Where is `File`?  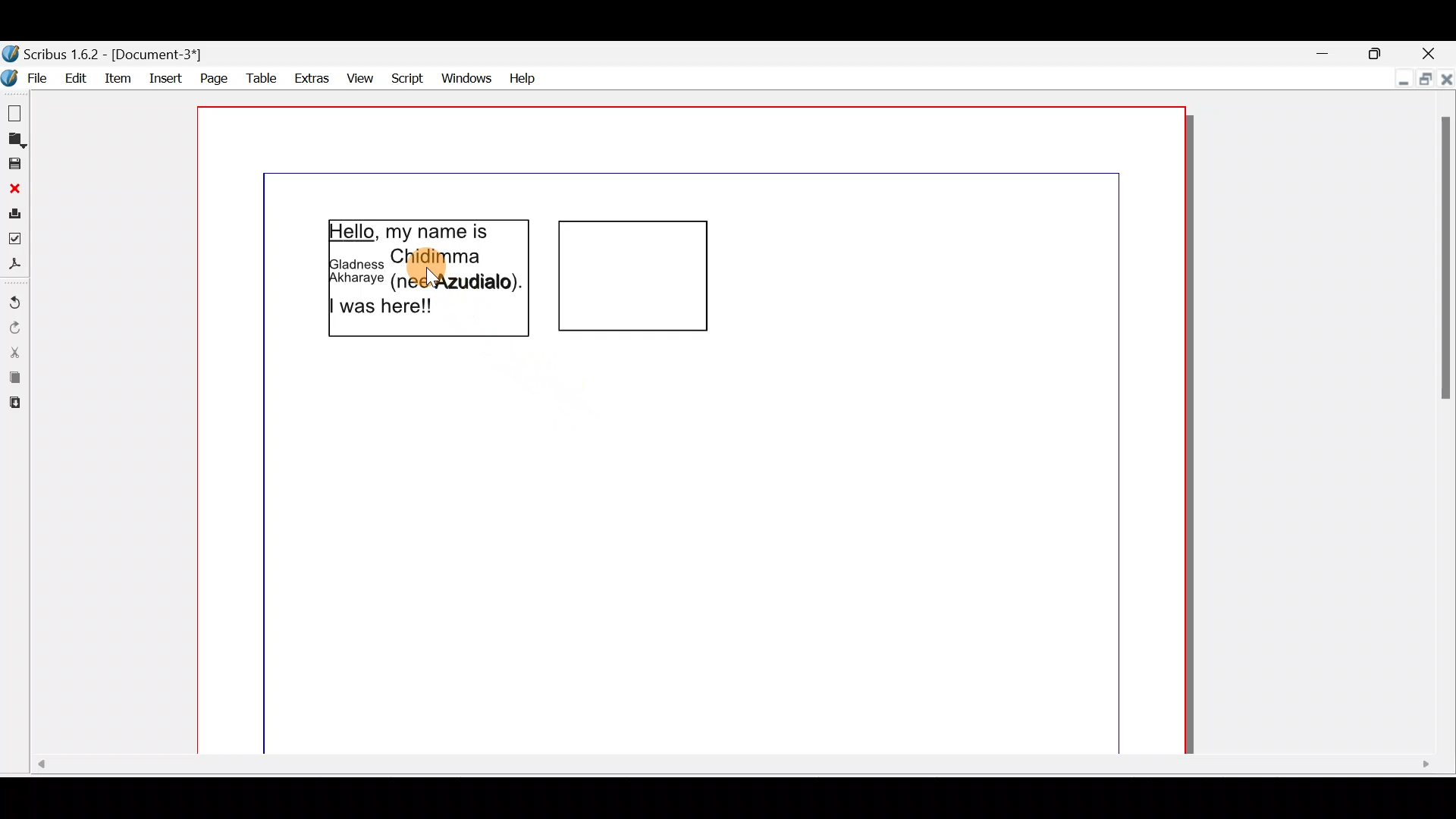
File is located at coordinates (27, 76).